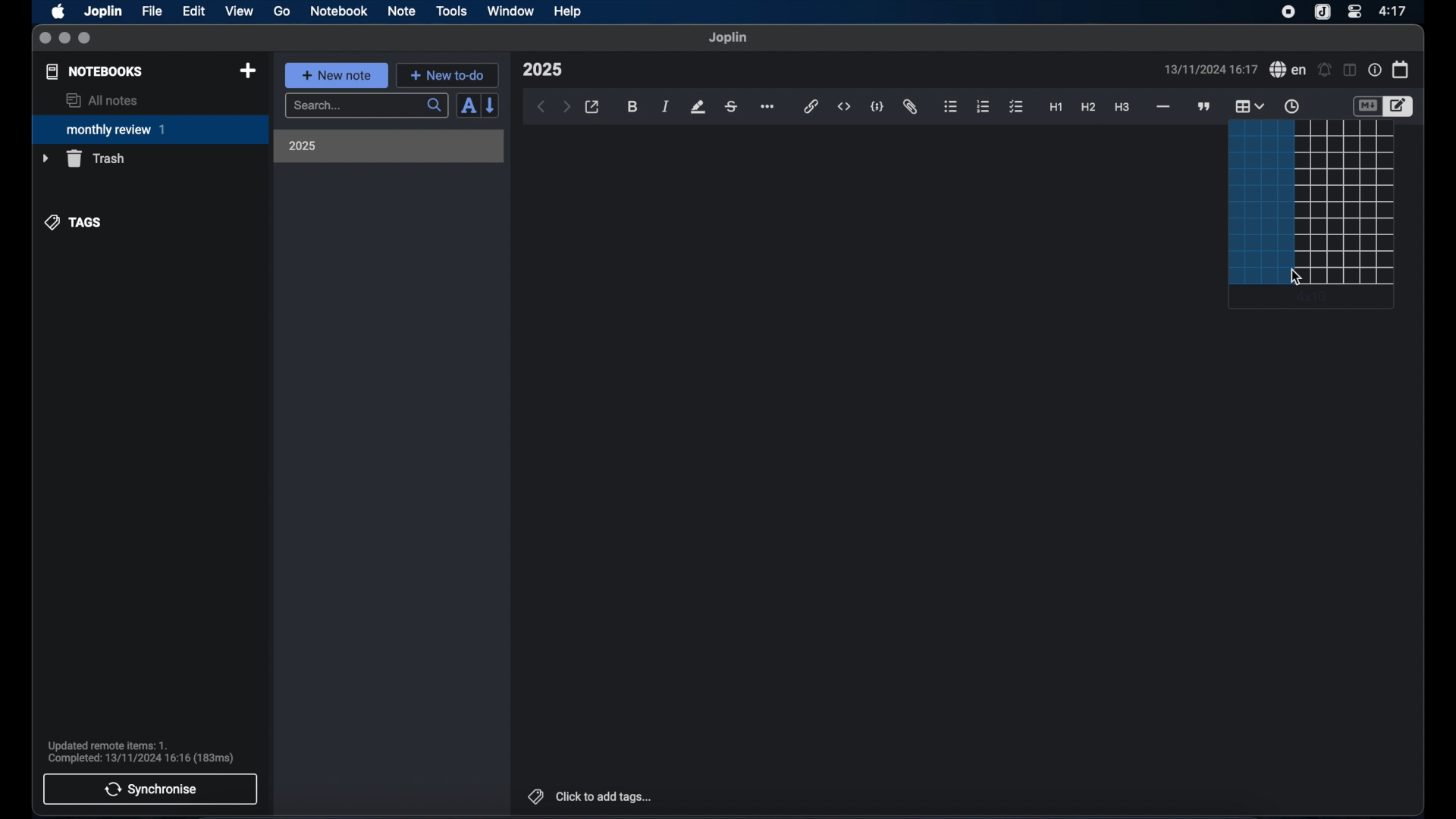 This screenshot has height=819, width=1456. What do you see at coordinates (339, 11) in the screenshot?
I see `notebook` at bounding box center [339, 11].